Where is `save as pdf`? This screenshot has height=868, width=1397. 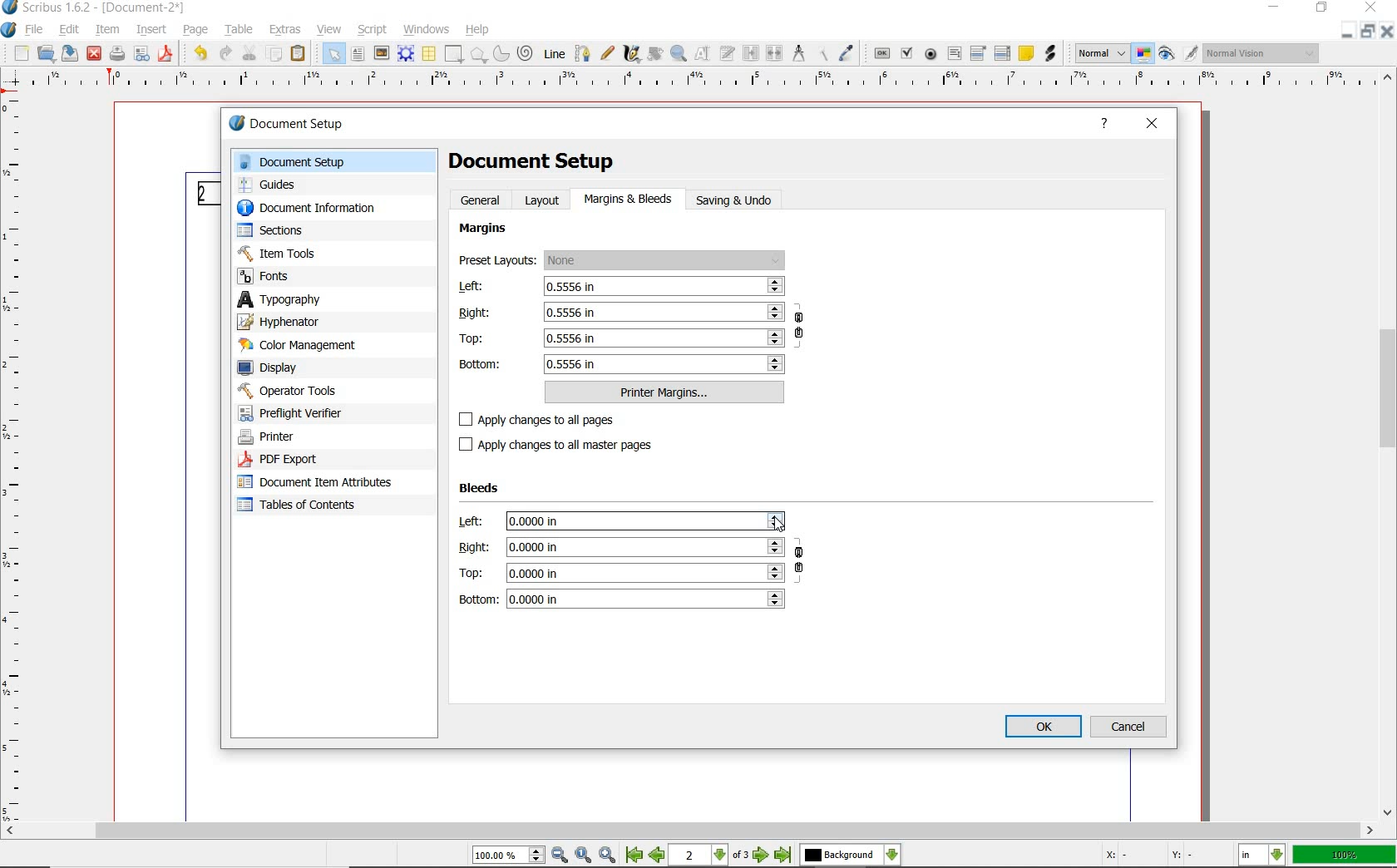 save as pdf is located at coordinates (165, 54).